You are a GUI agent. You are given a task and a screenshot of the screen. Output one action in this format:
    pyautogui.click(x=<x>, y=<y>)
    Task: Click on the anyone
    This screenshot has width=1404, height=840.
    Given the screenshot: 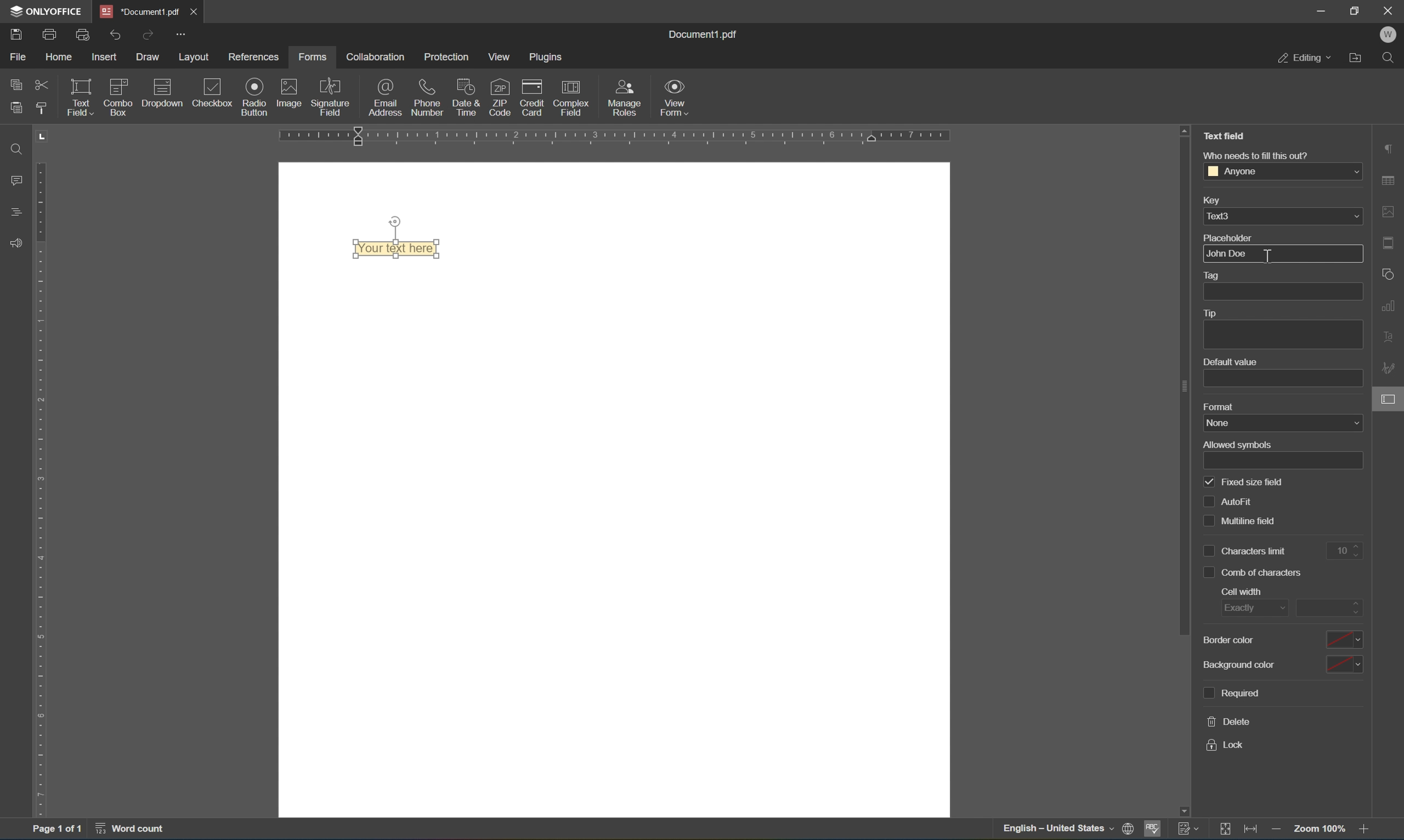 What is the action you would take?
    pyautogui.click(x=1283, y=173)
    